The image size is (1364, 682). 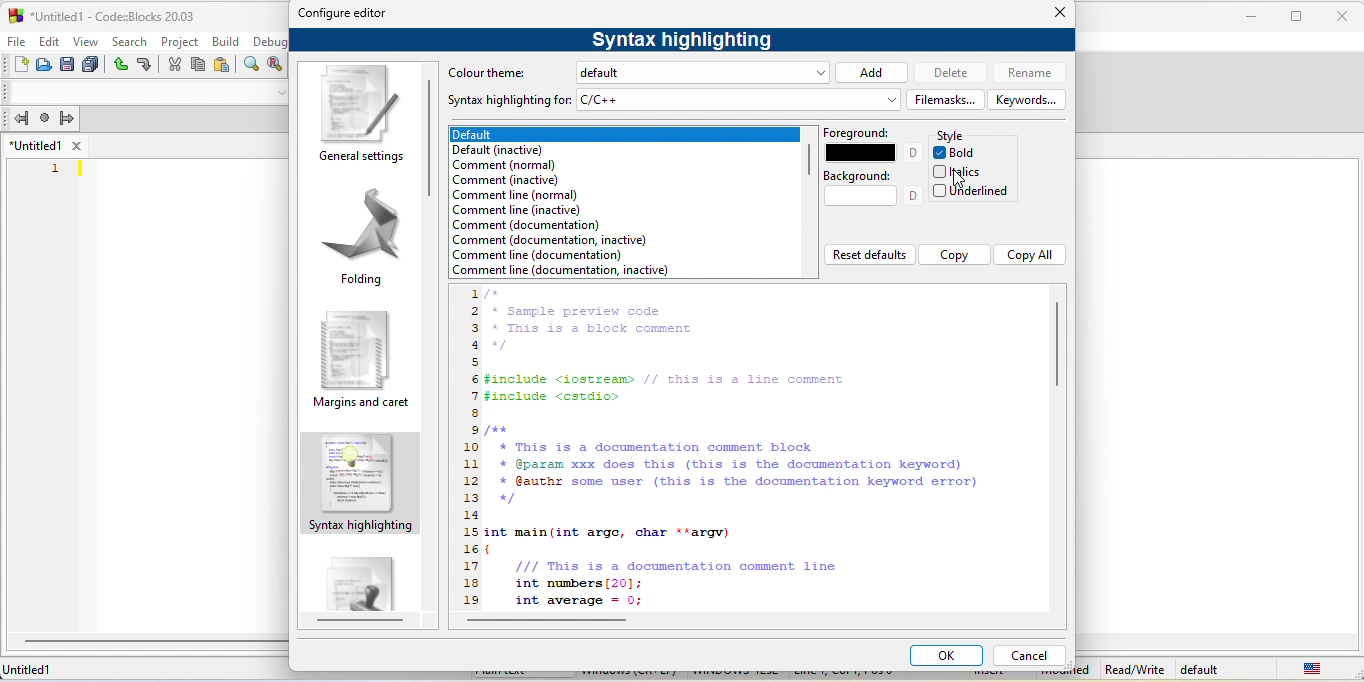 I want to click on cursor movement, so click(x=957, y=178).